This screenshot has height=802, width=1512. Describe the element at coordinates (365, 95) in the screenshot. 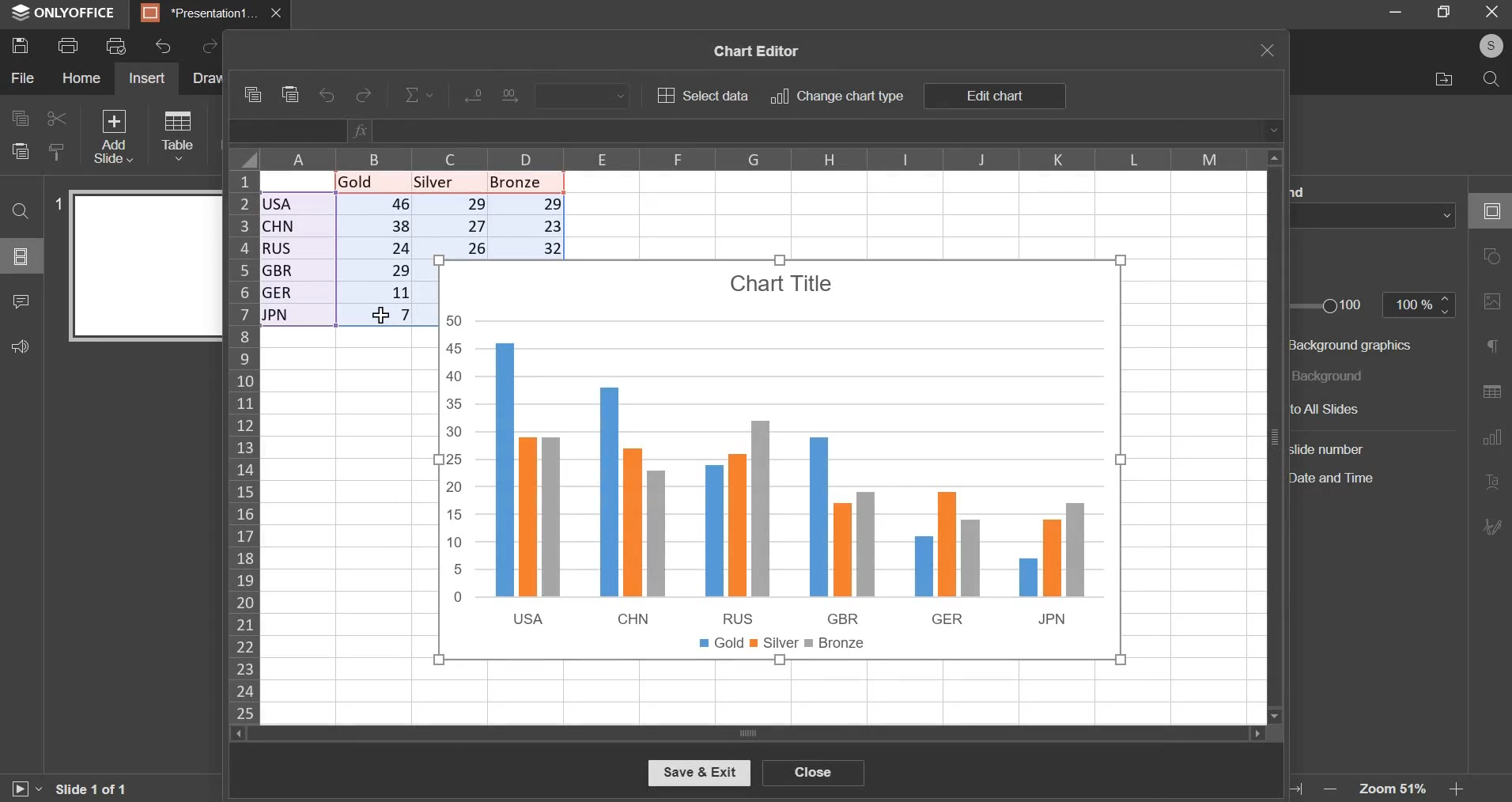

I see `redo` at that location.